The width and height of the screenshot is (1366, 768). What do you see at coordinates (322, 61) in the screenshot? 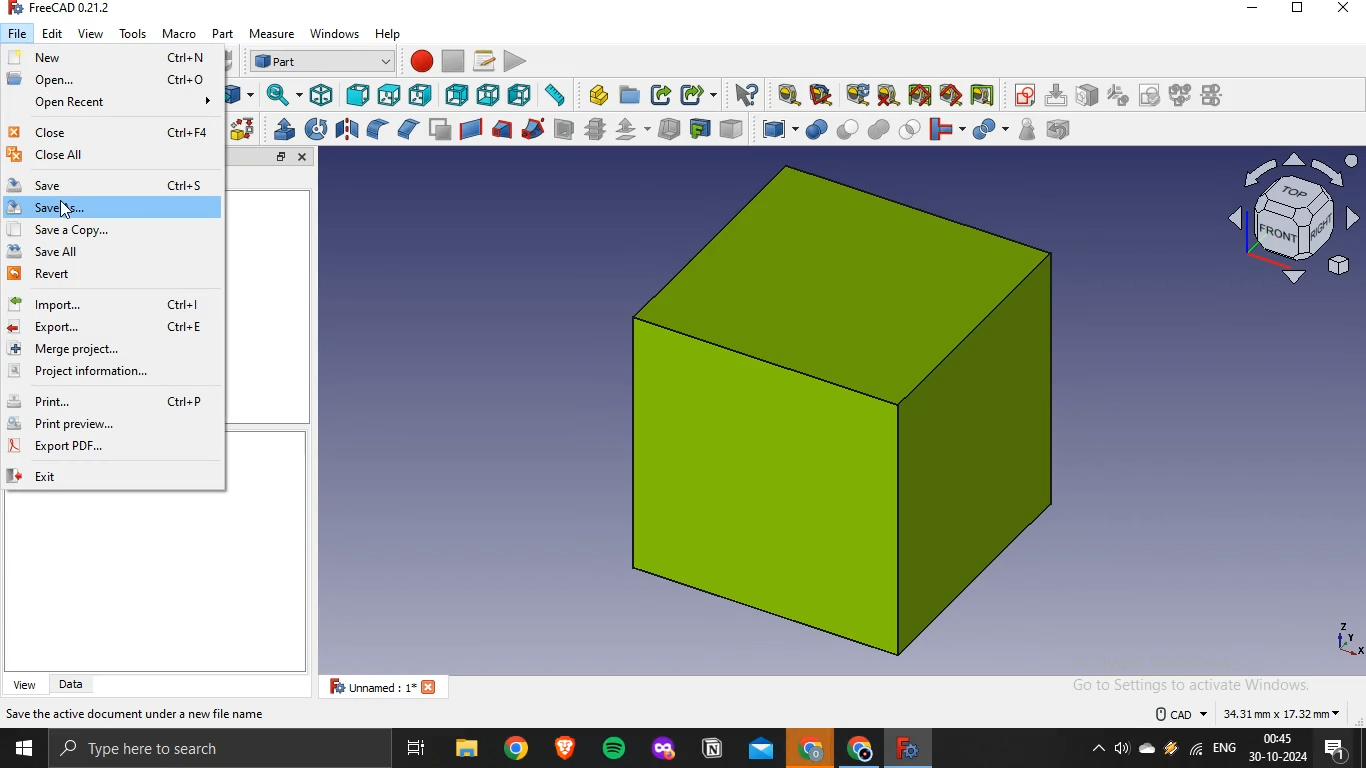
I see `workbench` at bounding box center [322, 61].